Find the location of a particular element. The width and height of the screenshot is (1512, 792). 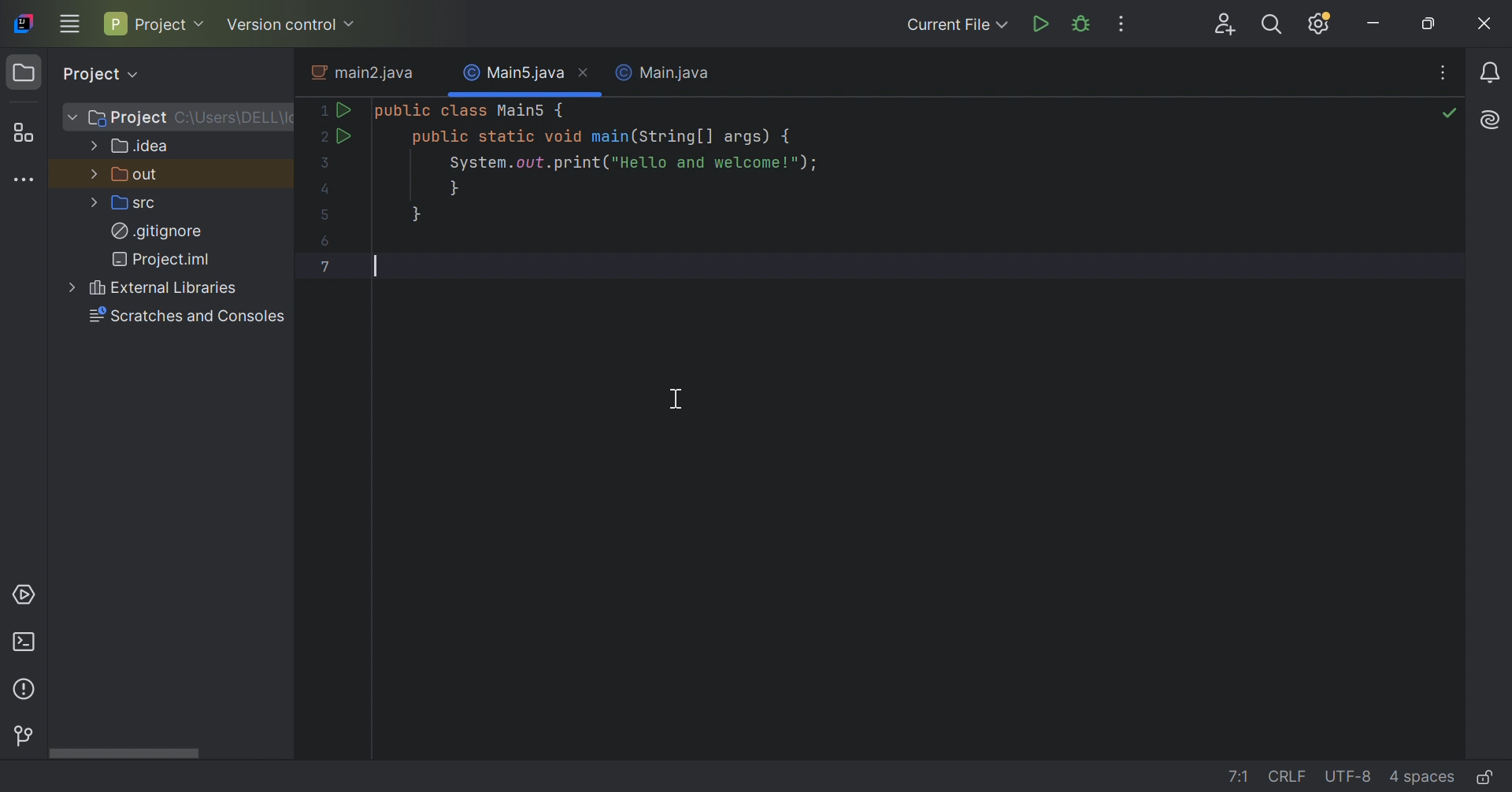

Scroll bar is located at coordinates (124, 753).